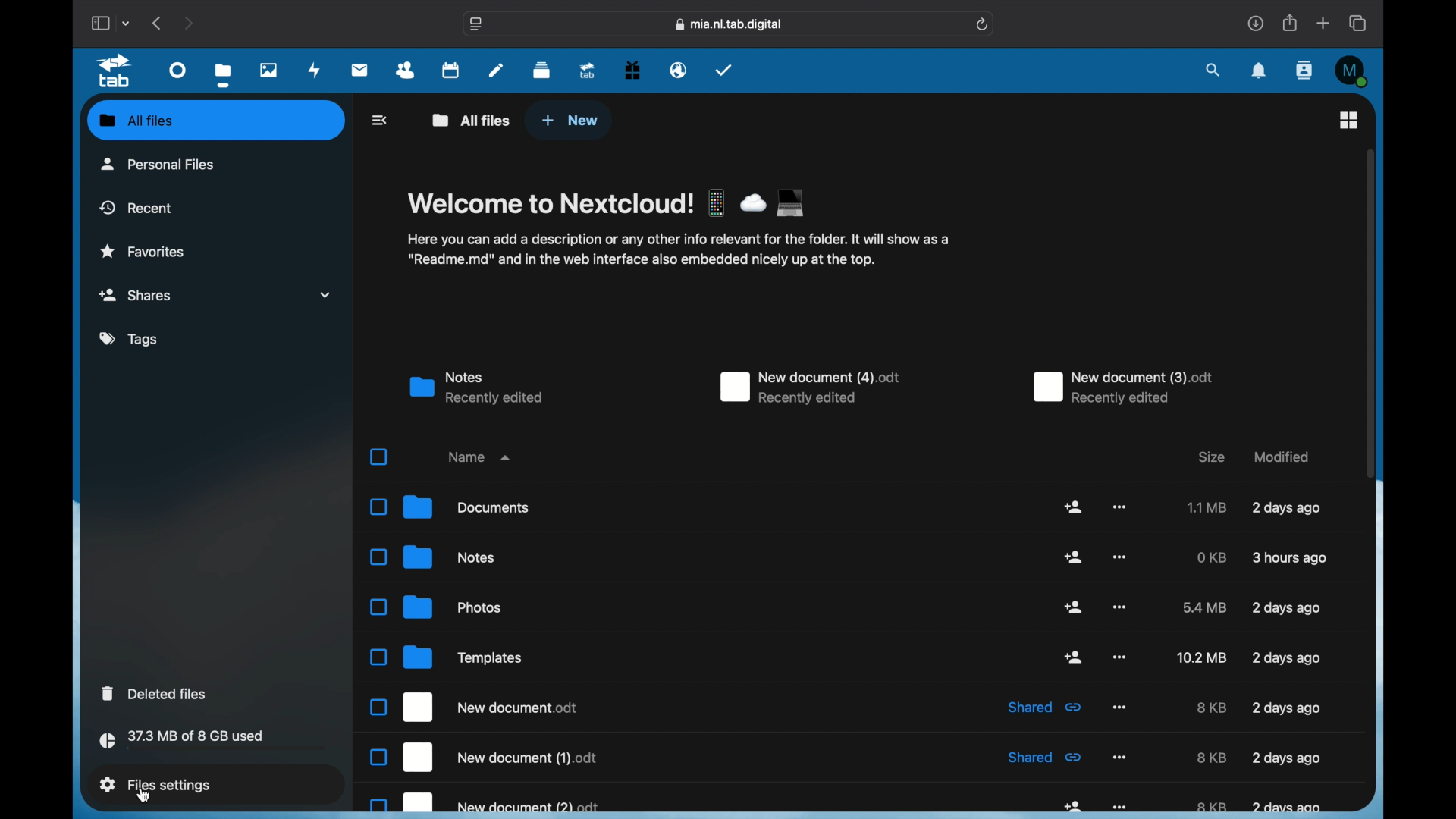 The width and height of the screenshot is (1456, 819). Describe the element at coordinates (1074, 657) in the screenshot. I see `share` at that location.